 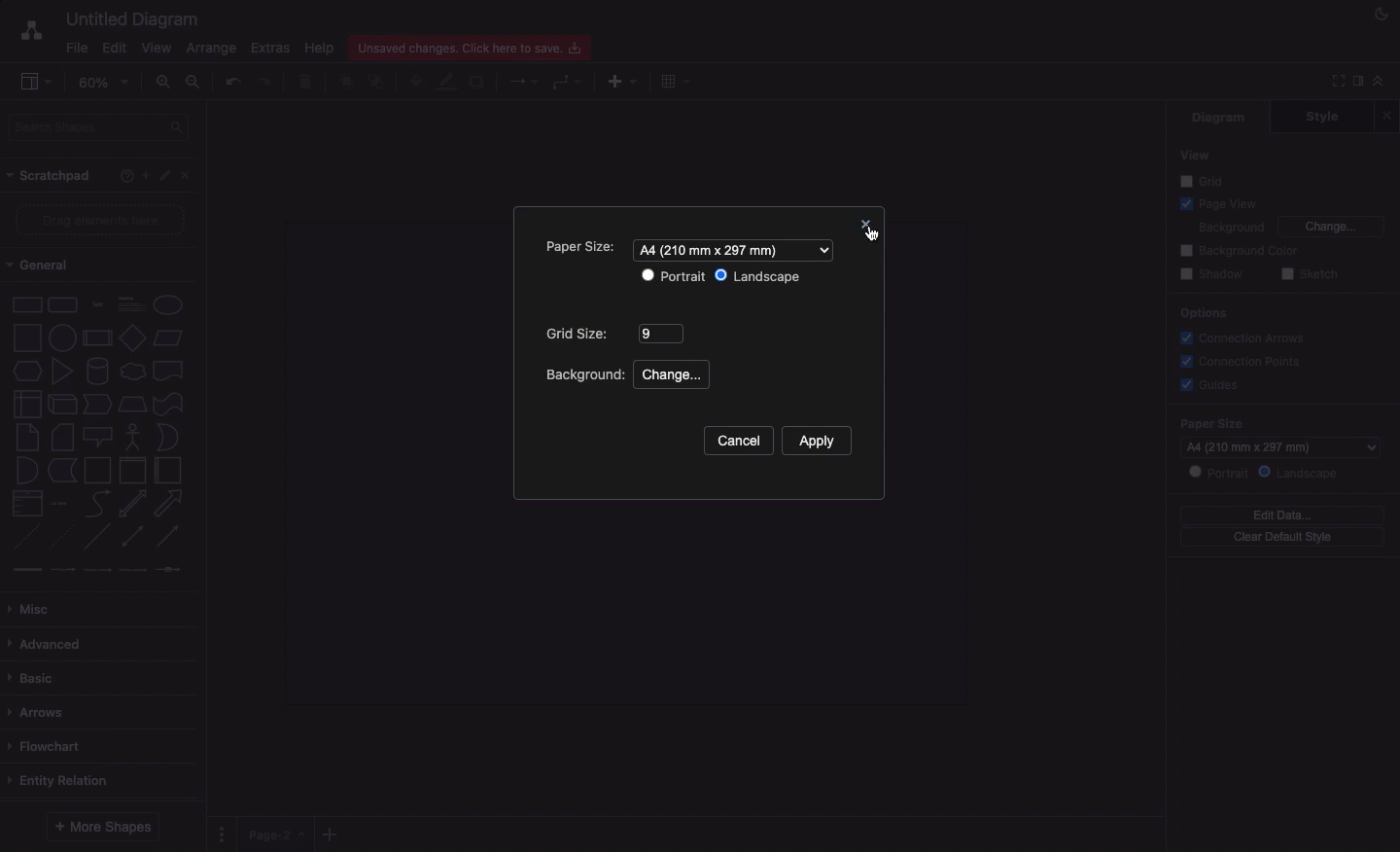 What do you see at coordinates (232, 82) in the screenshot?
I see `Undo` at bounding box center [232, 82].